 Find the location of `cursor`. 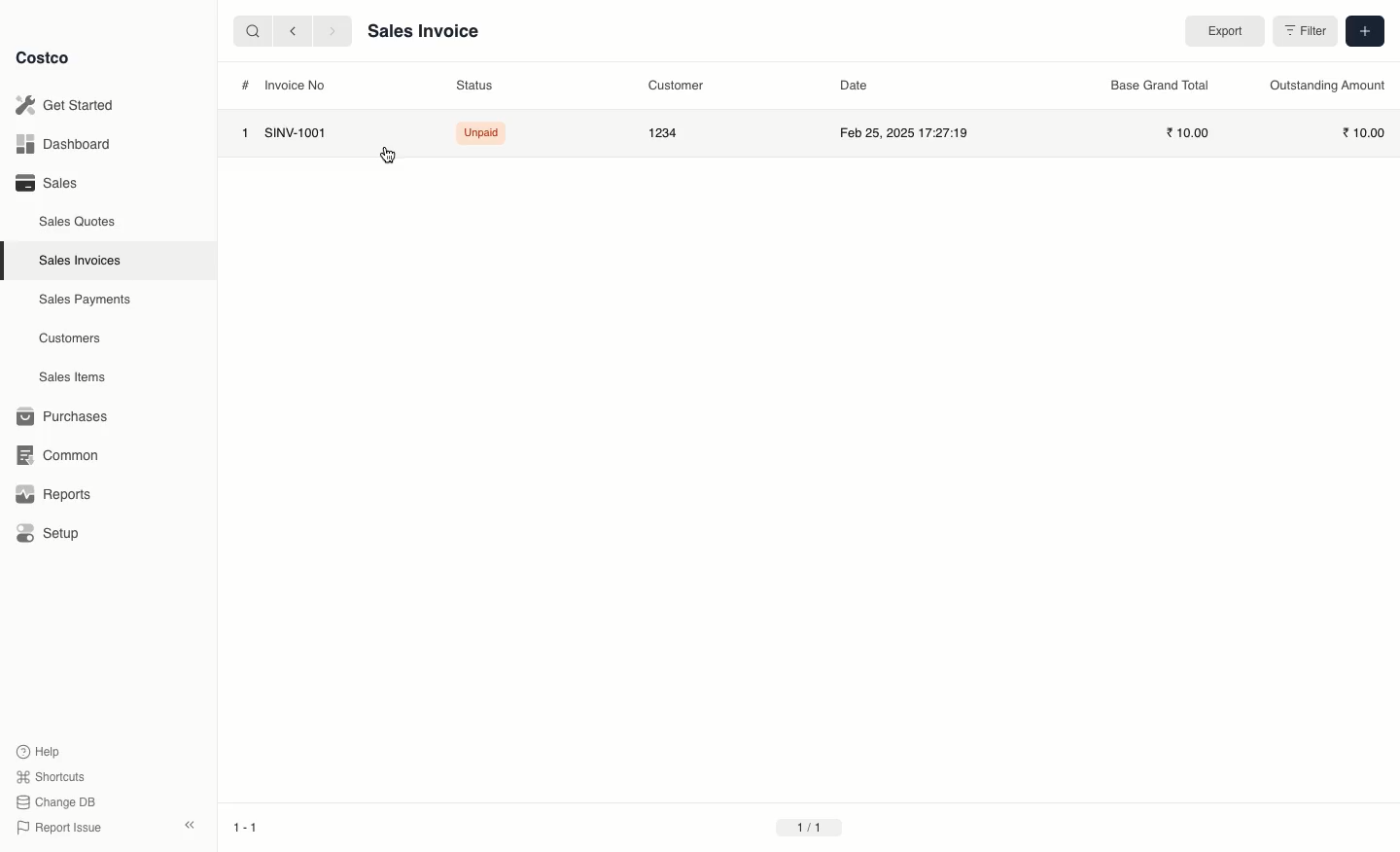

cursor is located at coordinates (386, 156).